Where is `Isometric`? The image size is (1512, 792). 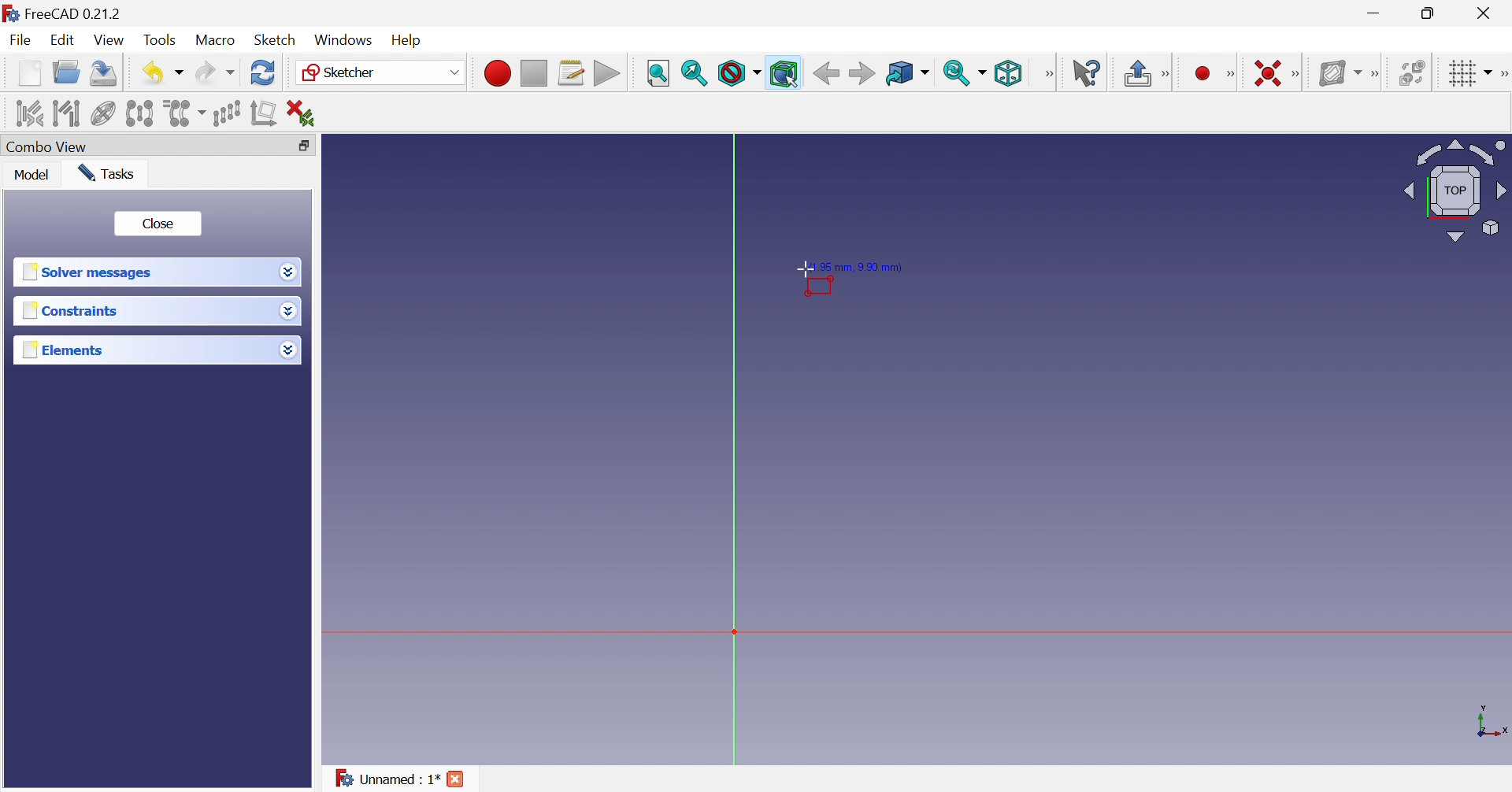
Isometric is located at coordinates (1011, 72).